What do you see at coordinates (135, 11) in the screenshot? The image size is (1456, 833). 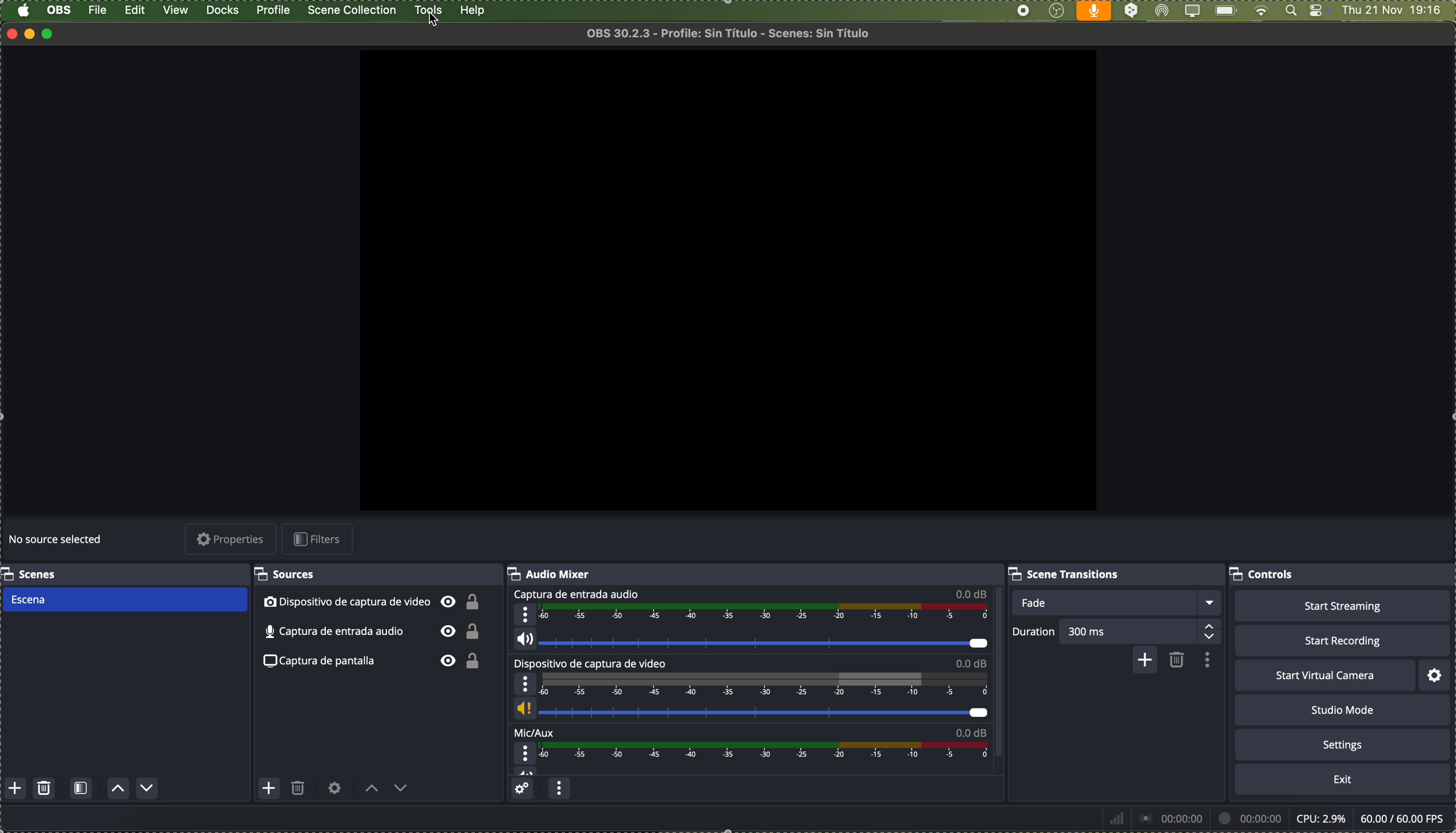 I see `edit` at bounding box center [135, 11].